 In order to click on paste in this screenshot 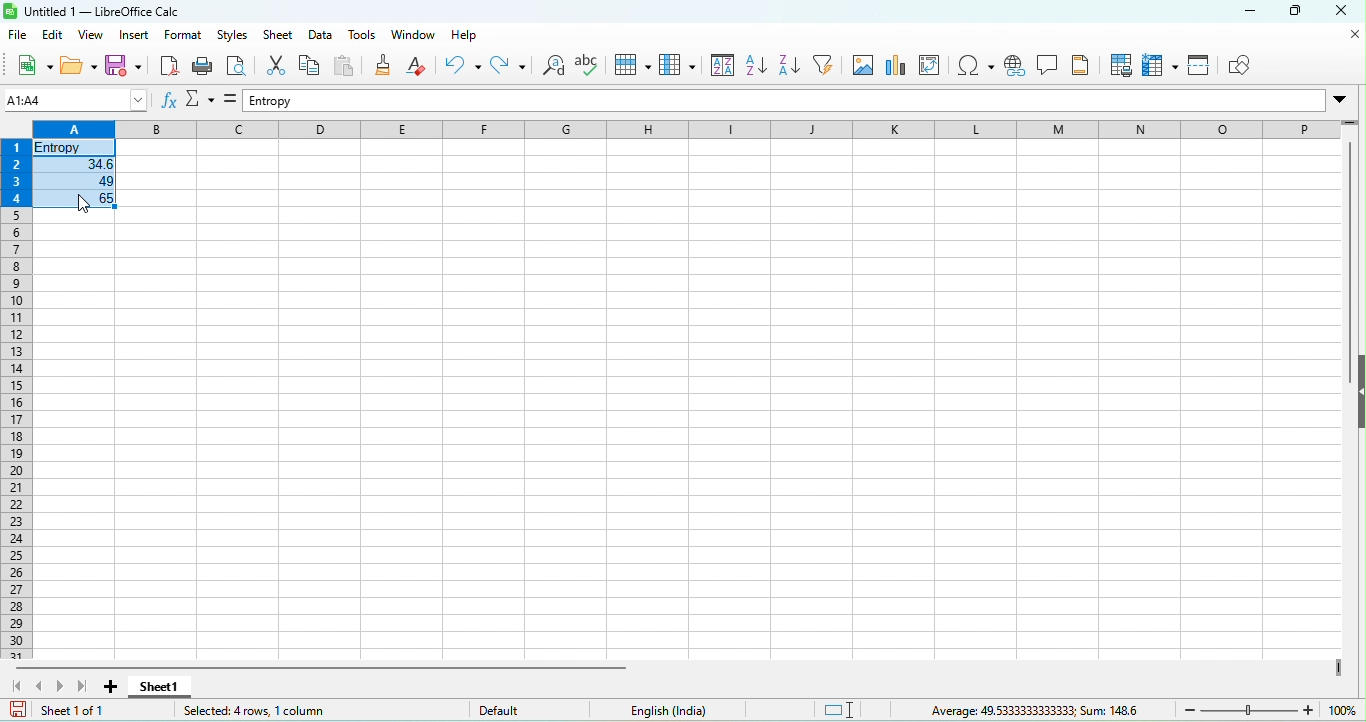, I will do `click(345, 68)`.